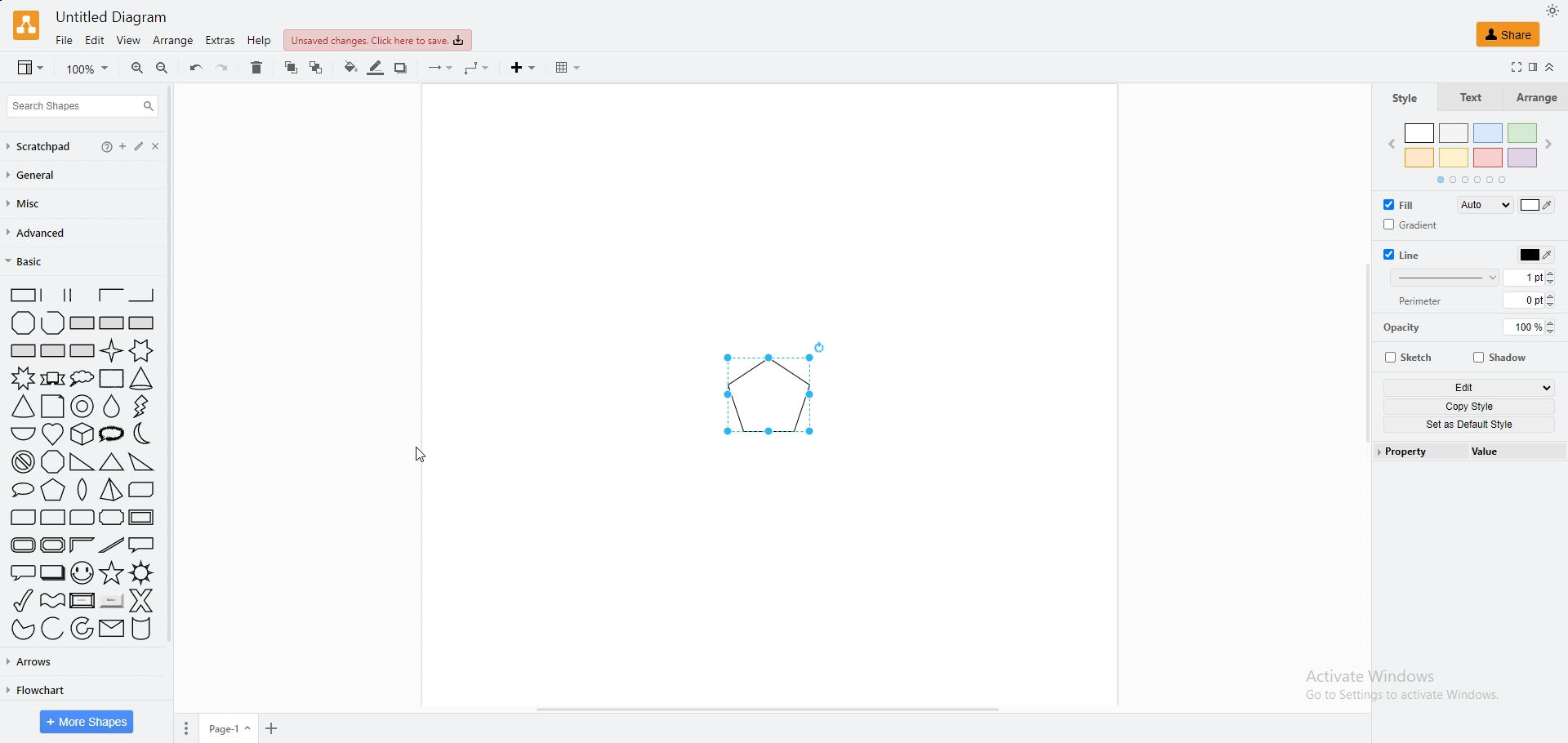 This screenshot has width=1568, height=743. Describe the element at coordinates (568, 68) in the screenshot. I see `table` at that location.